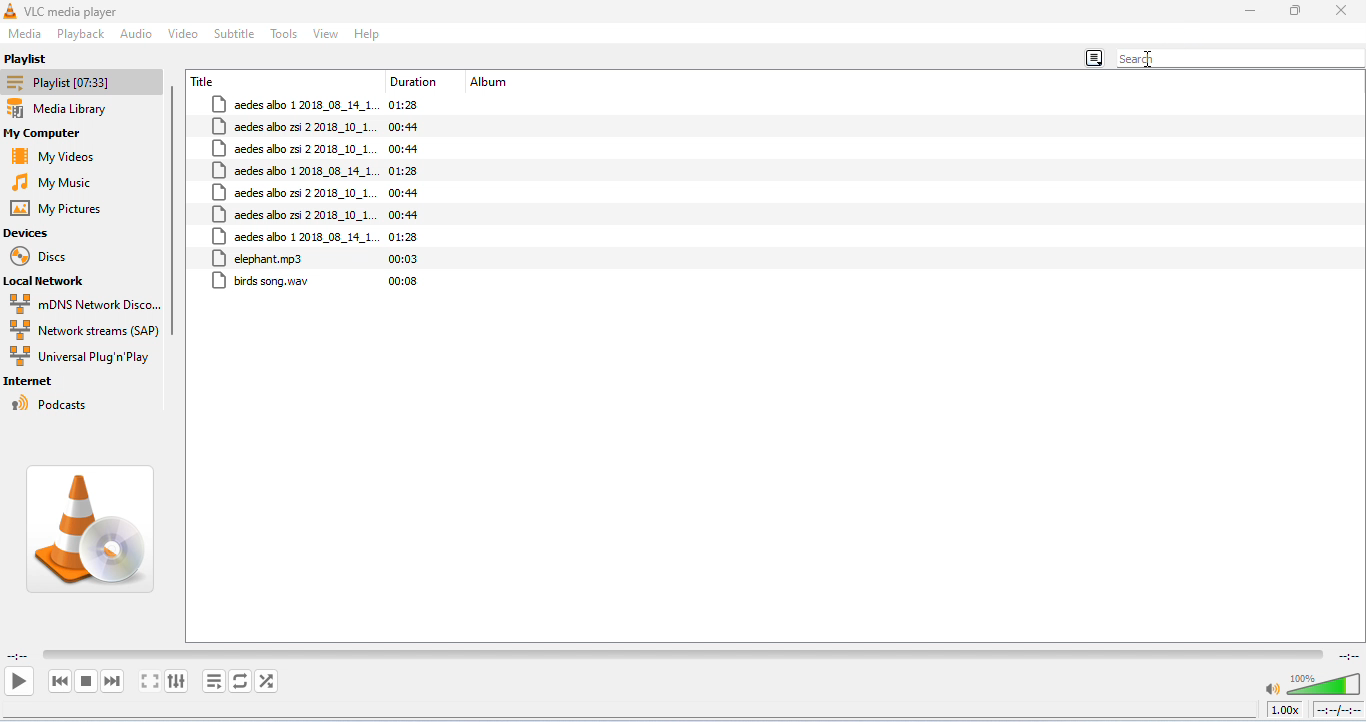 Image resolution: width=1366 pixels, height=722 pixels. What do you see at coordinates (33, 382) in the screenshot?
I see `internet` at bounding box center [33, 382].